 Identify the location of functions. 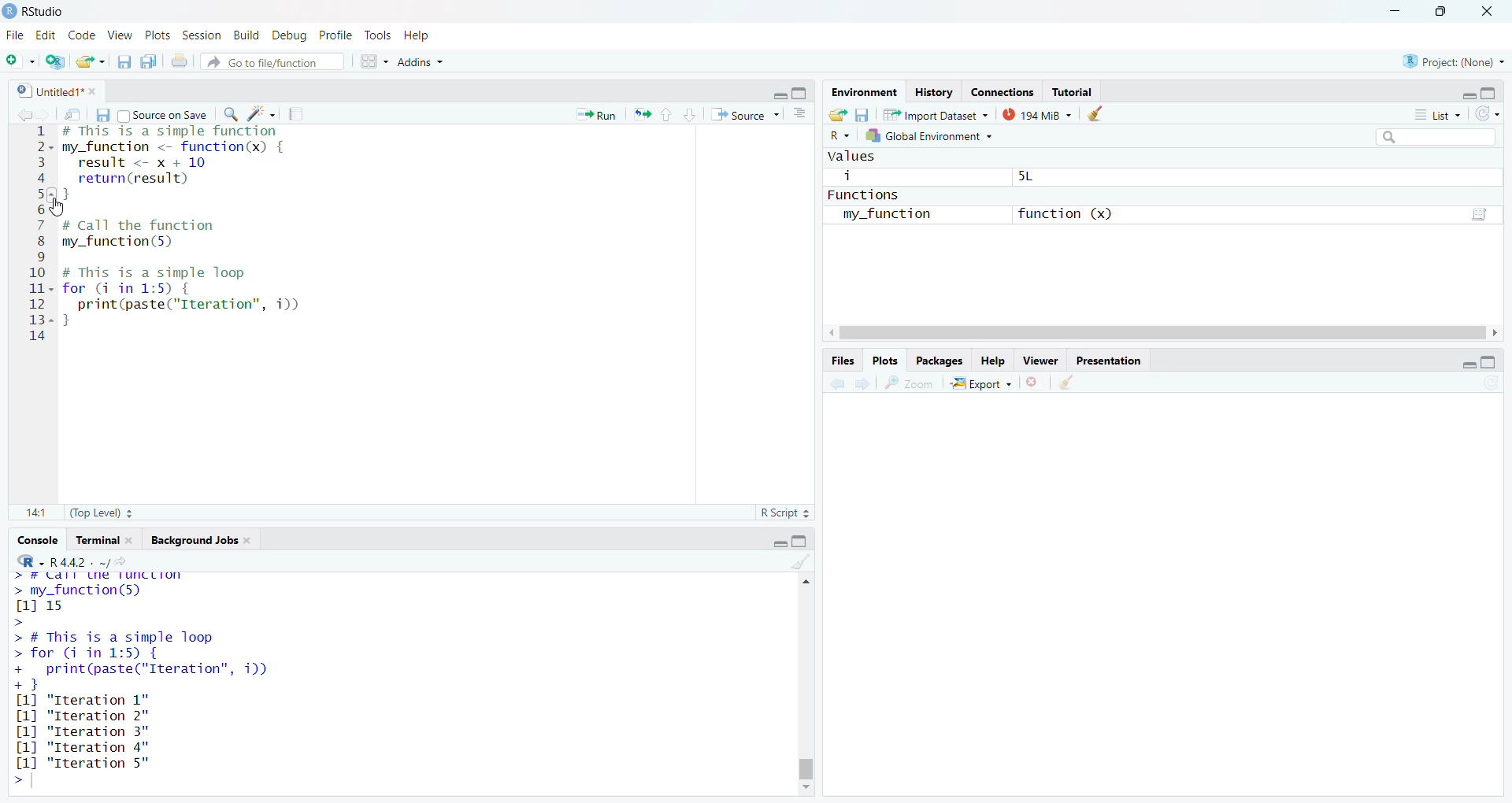
(876, 194).